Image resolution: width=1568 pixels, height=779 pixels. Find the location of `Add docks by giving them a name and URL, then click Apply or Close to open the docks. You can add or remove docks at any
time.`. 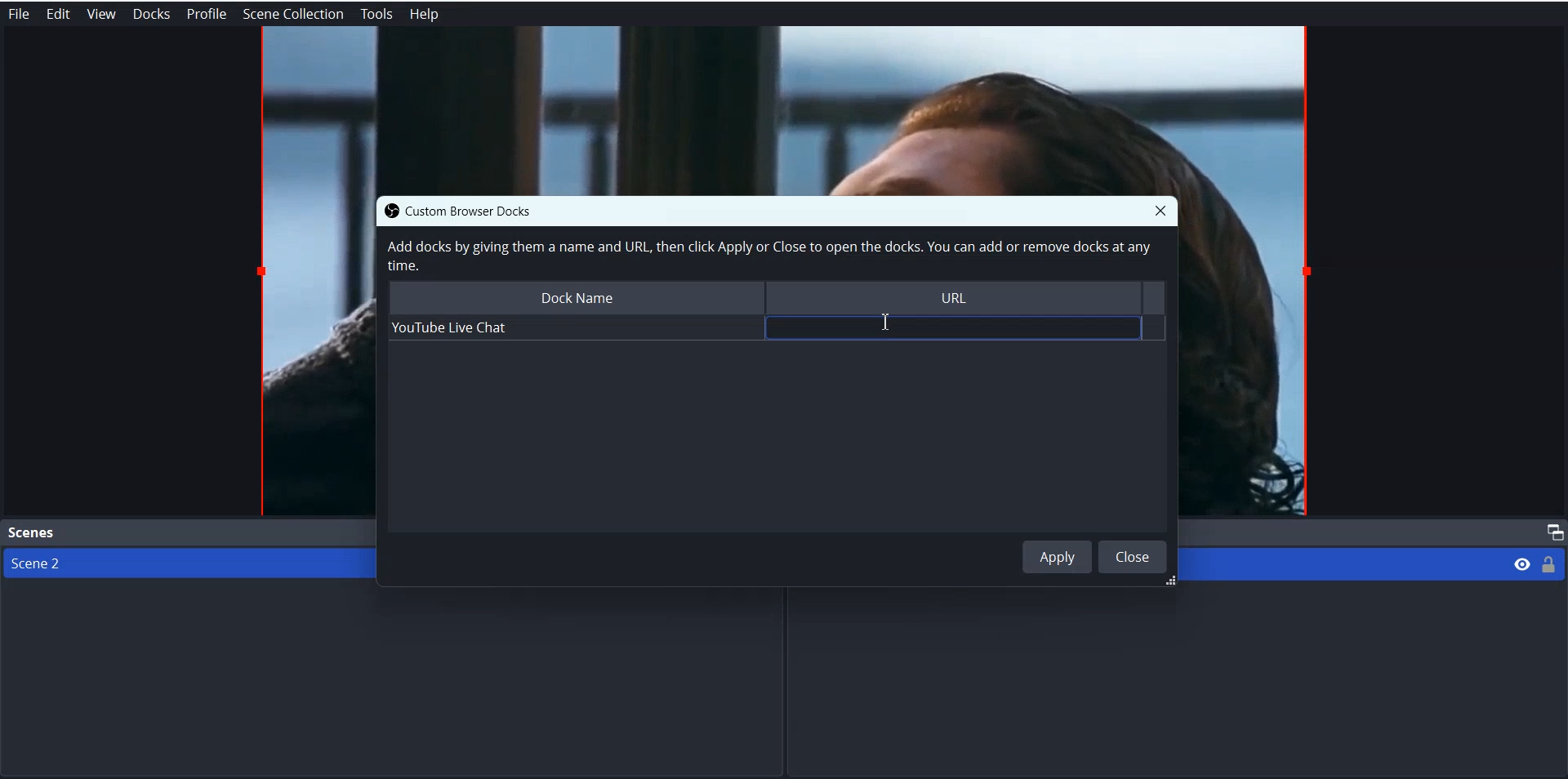

Add docks by giving them a name and URL, then click Apply or Close to open the docks. You can add or remove docks at any
time. is located at coordinates (767, 256).